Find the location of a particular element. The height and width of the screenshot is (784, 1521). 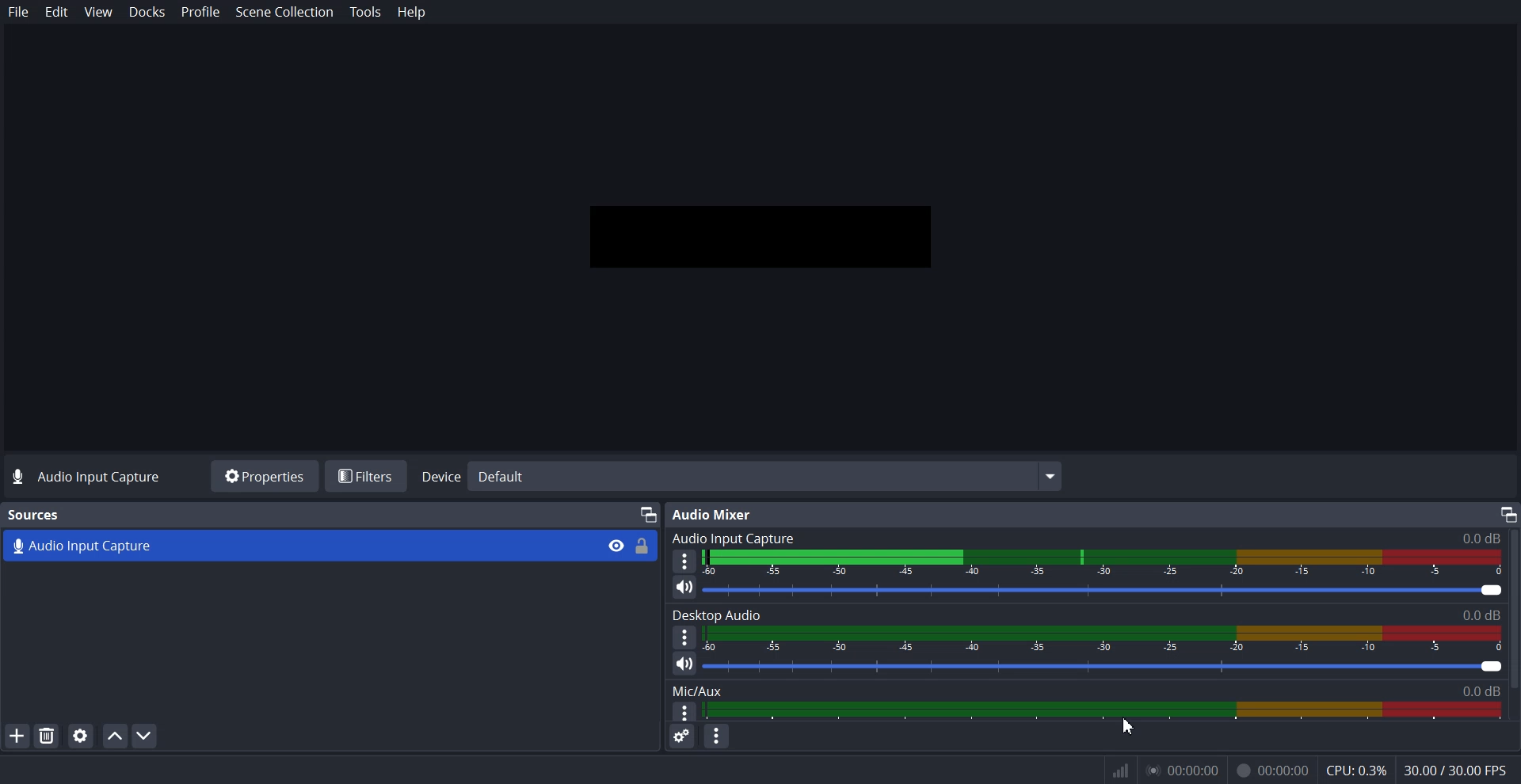

Audio Capture is located at coordinates (293, 545).